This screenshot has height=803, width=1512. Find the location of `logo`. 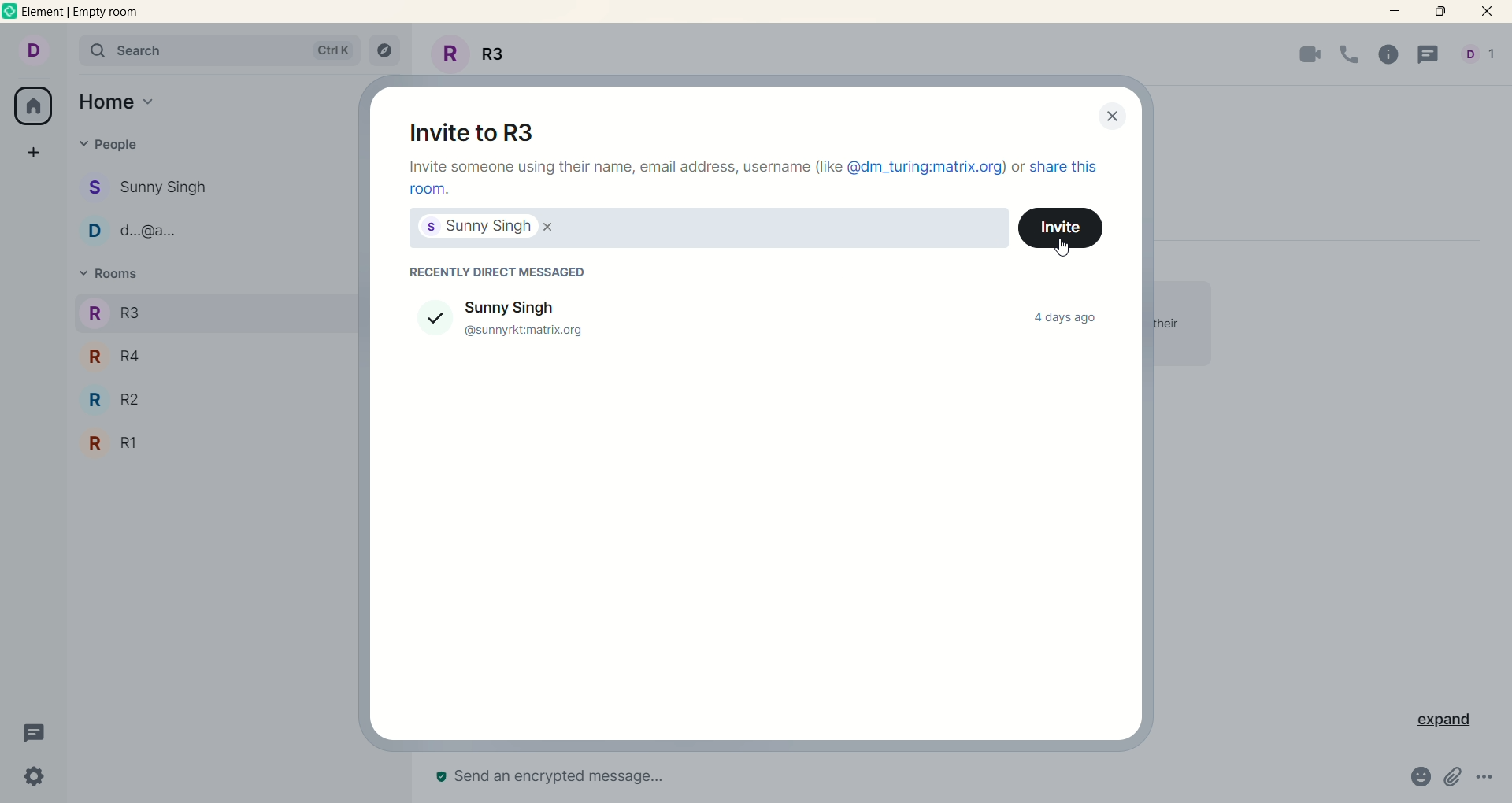

logo is located at coordinates (10, 11).